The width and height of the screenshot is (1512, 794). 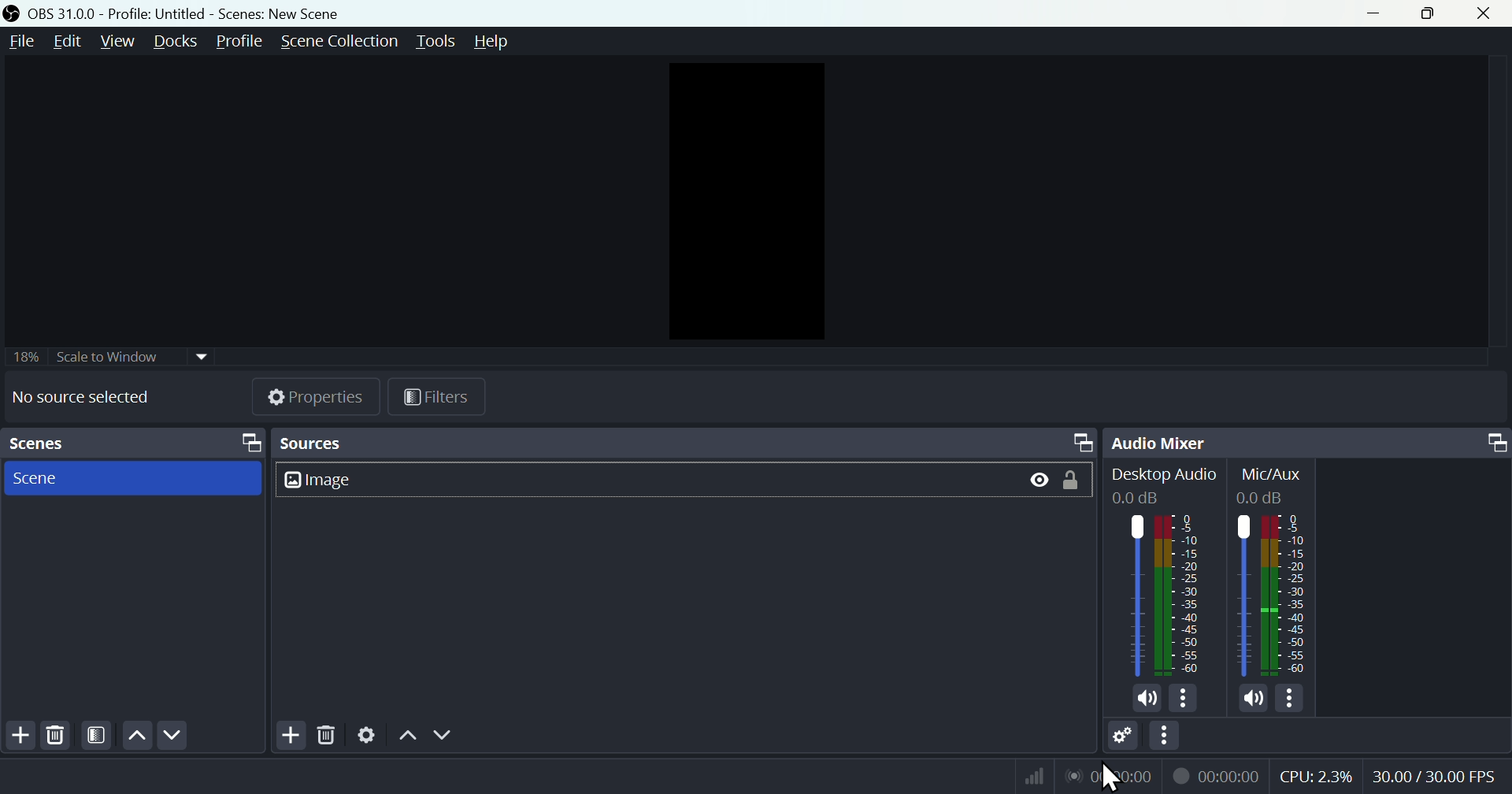 What do you see at coordinates (1274, 594) in the screenshot?
I see `` at bounding box center [1274, 594].